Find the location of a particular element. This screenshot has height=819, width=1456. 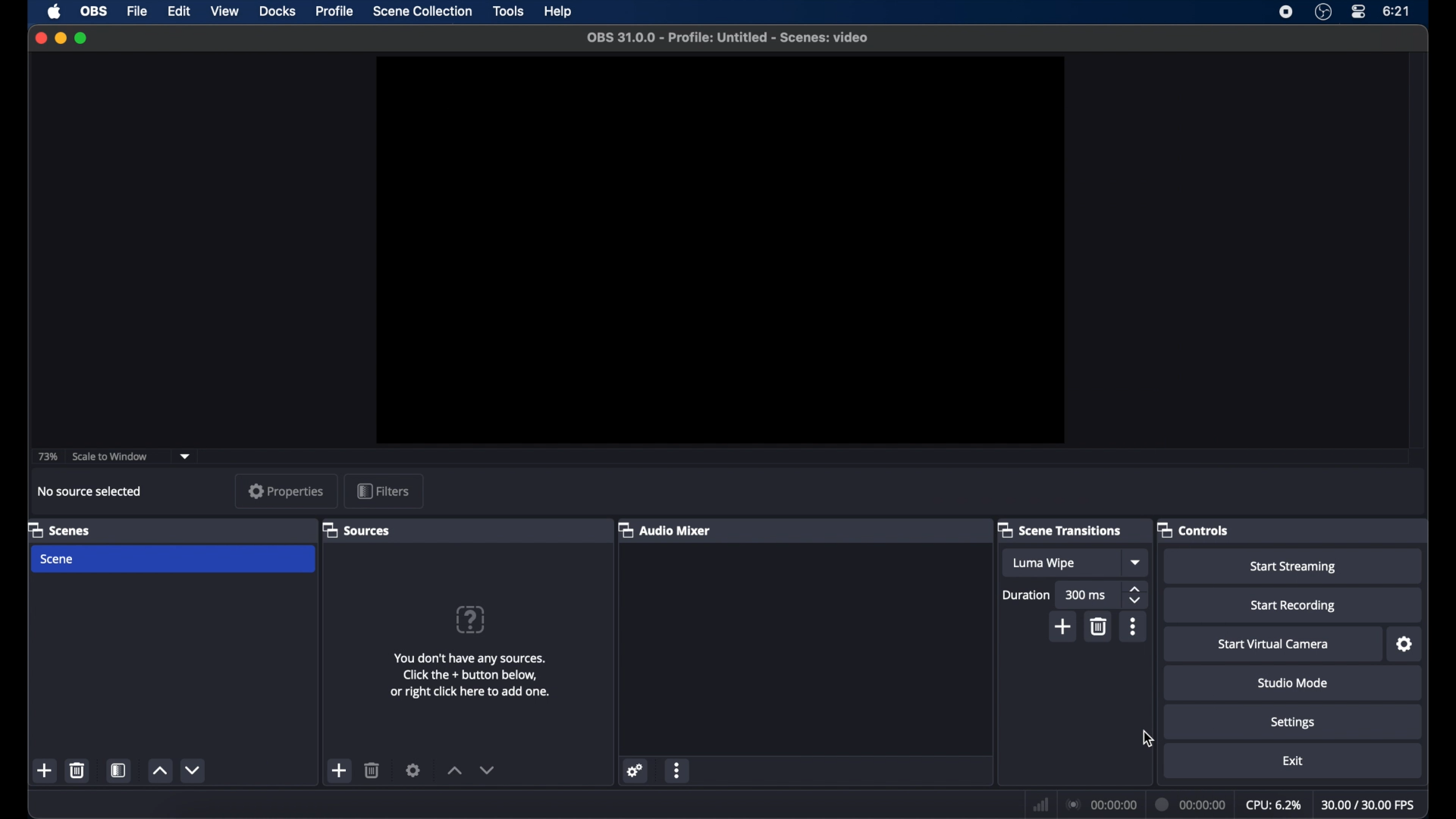

duration is located at coordinates (1025, 595).